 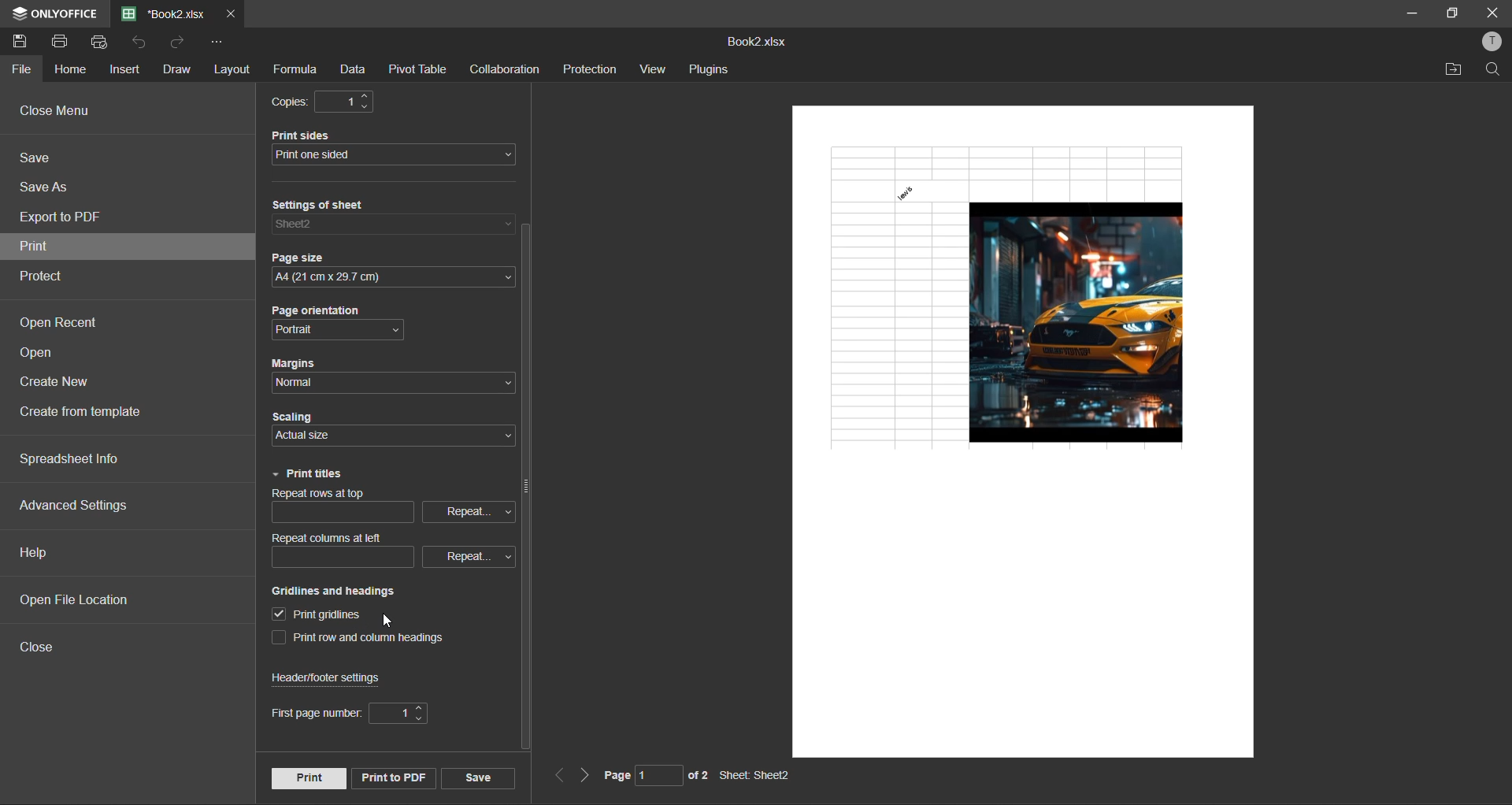 I want to click on collaboration, so click(x=505, y=69).